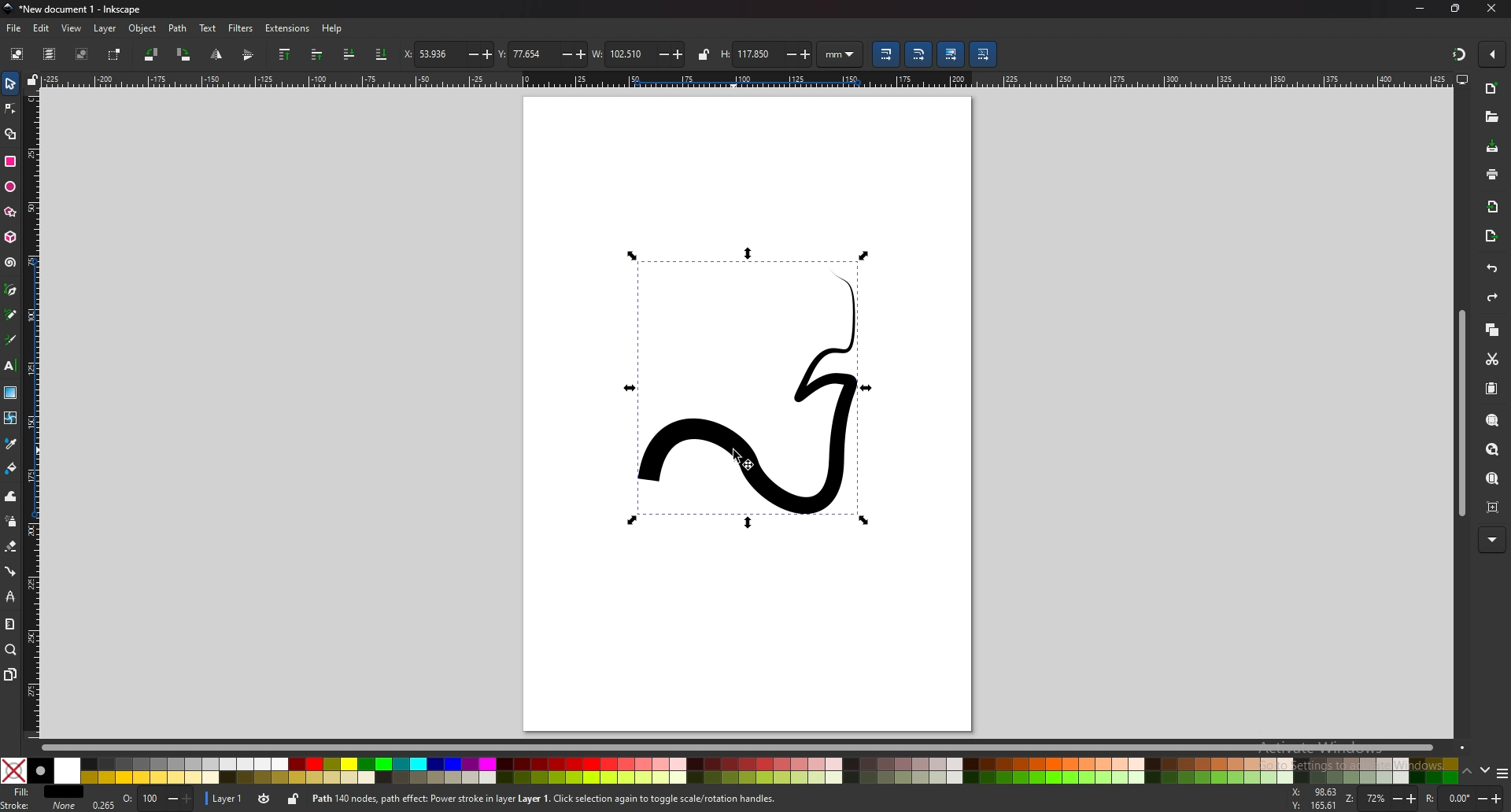 Image resolution: width=1511 pixels, height=812 pixels. I want to click on cut, so click(1492, 360).